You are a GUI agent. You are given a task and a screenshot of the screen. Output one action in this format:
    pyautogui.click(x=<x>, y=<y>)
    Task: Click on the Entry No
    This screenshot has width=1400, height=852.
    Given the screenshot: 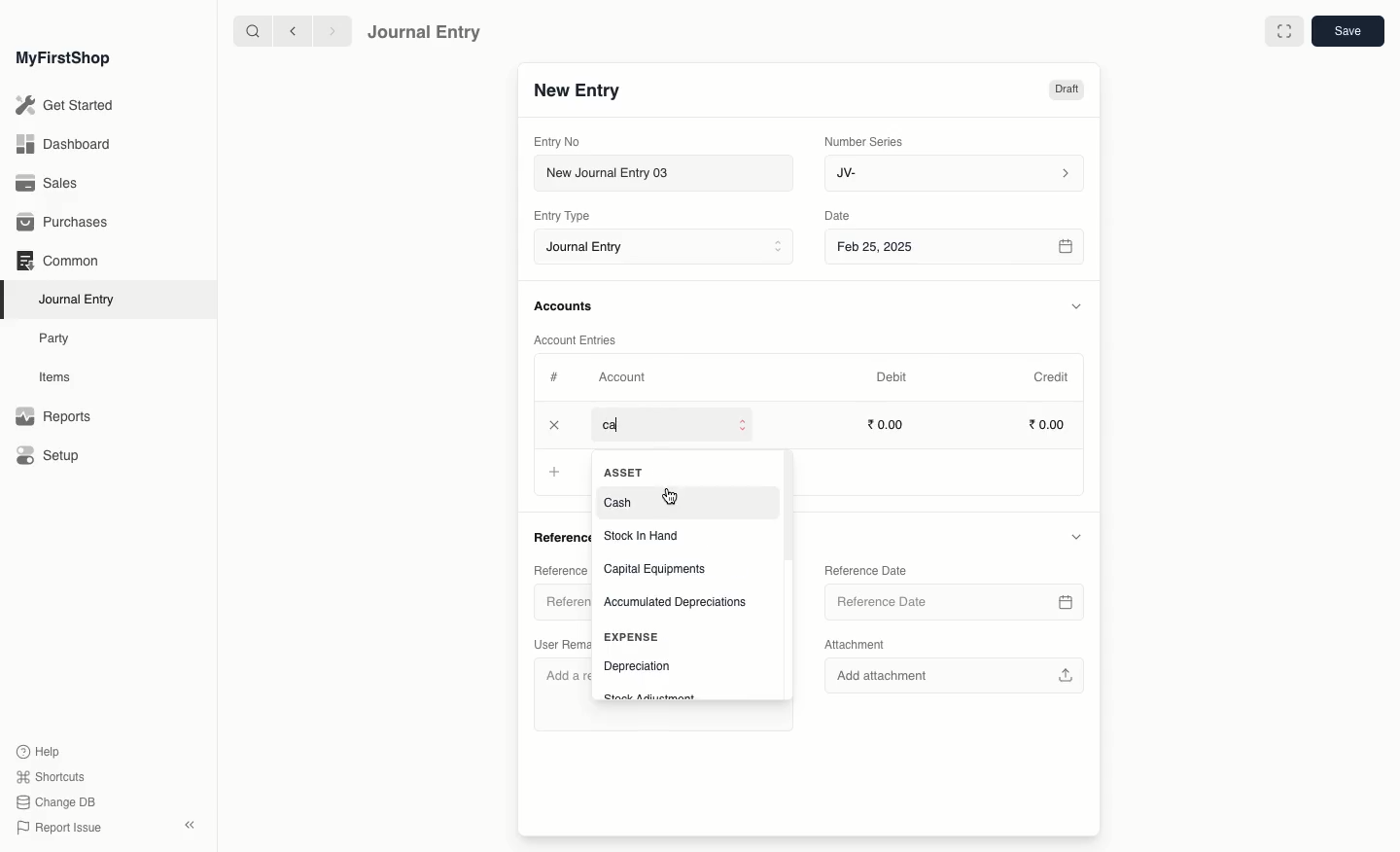 What is the action you would take?
    pyautogui.click(x=558, y=141)
    